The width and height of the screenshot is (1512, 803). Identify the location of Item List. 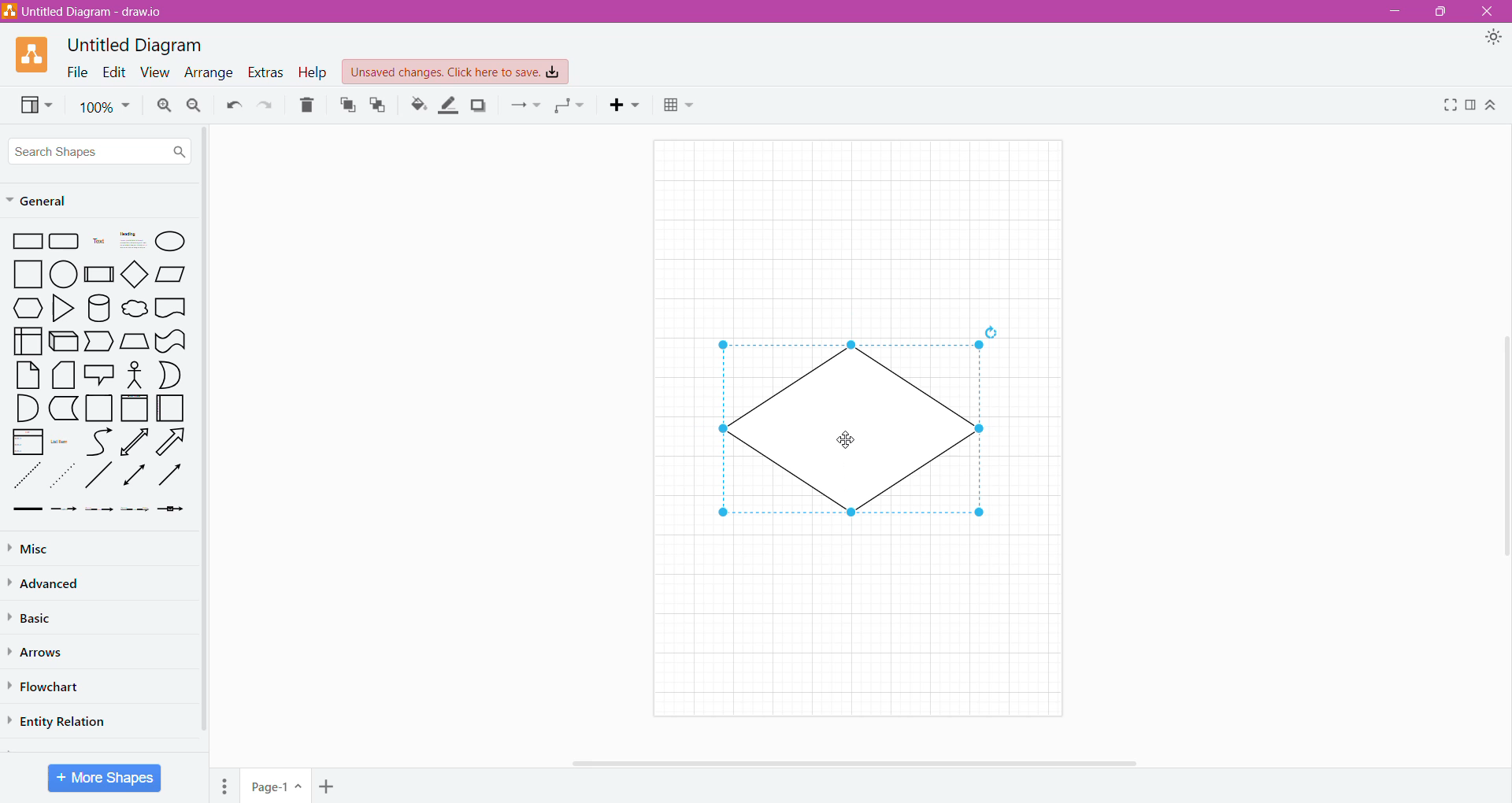
(28, 442).